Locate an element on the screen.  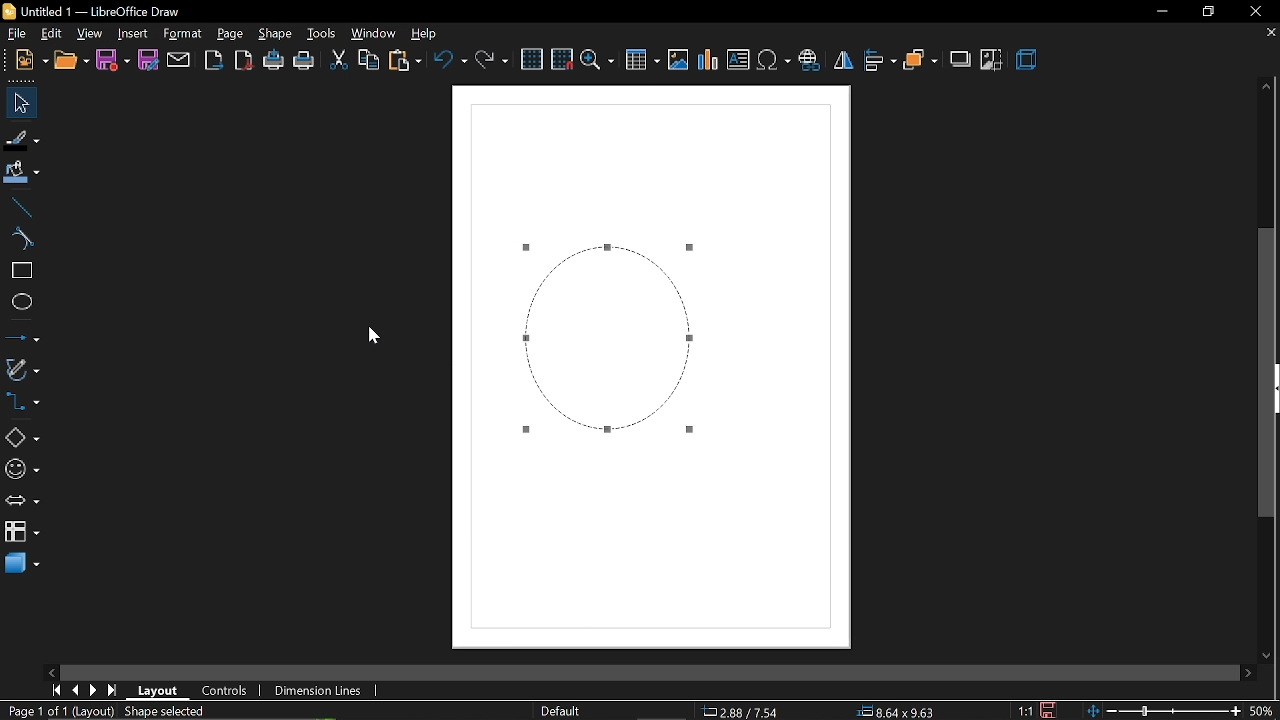
current page (Page 1 of 1 (Layout)) is located at coordinates (58, 712).